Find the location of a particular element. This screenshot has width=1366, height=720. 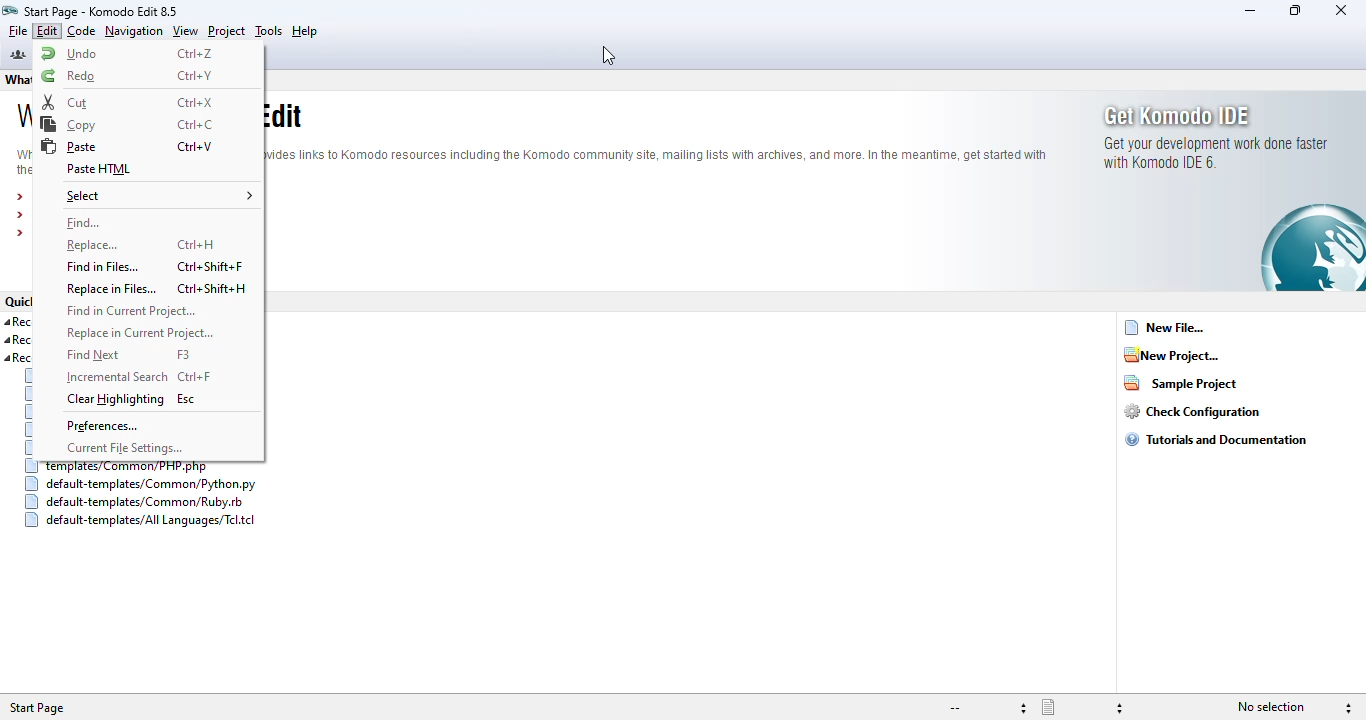

edit is located at coordinates (46, 31).